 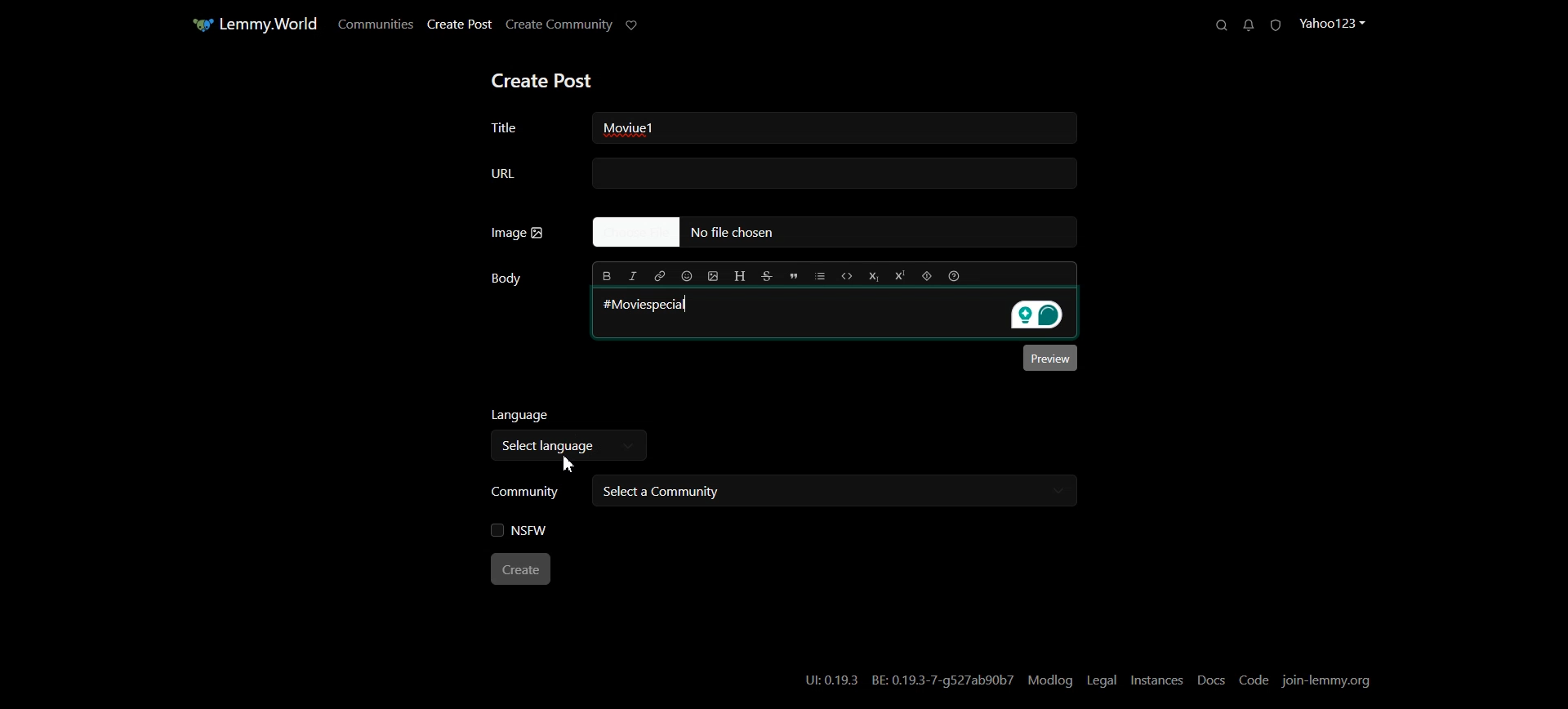 What do you see at coordinates (520, 531) in the screenshot?
I see `NSFW` at bounding box center [520, 531].